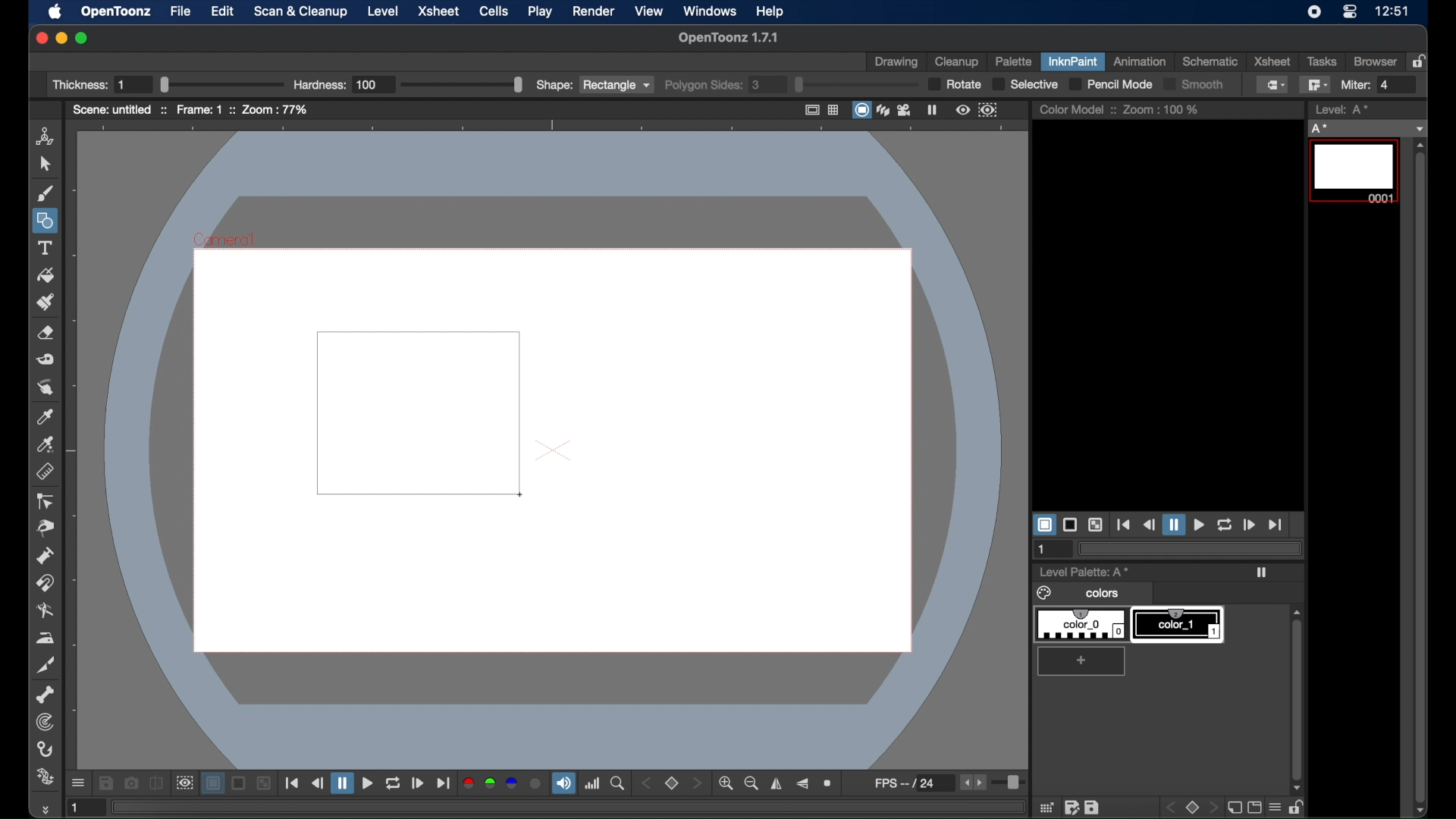  What do you see at coordinates (1213, 808) in the screenshot?
I see `front` at bounding box center [1213, 808].